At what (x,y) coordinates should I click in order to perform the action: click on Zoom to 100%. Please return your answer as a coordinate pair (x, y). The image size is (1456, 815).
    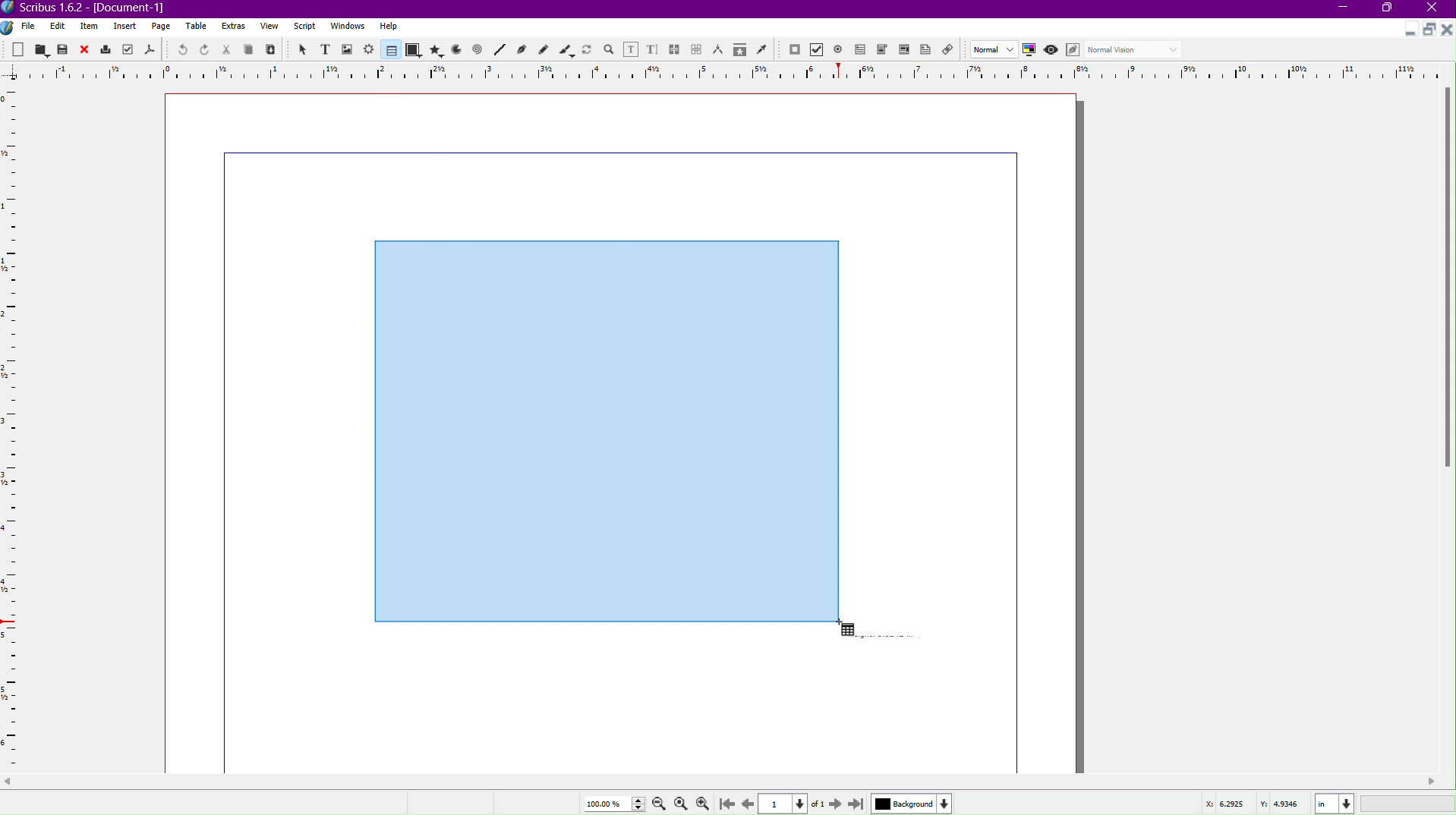
    Looking at the image, I should click on (680, 801).